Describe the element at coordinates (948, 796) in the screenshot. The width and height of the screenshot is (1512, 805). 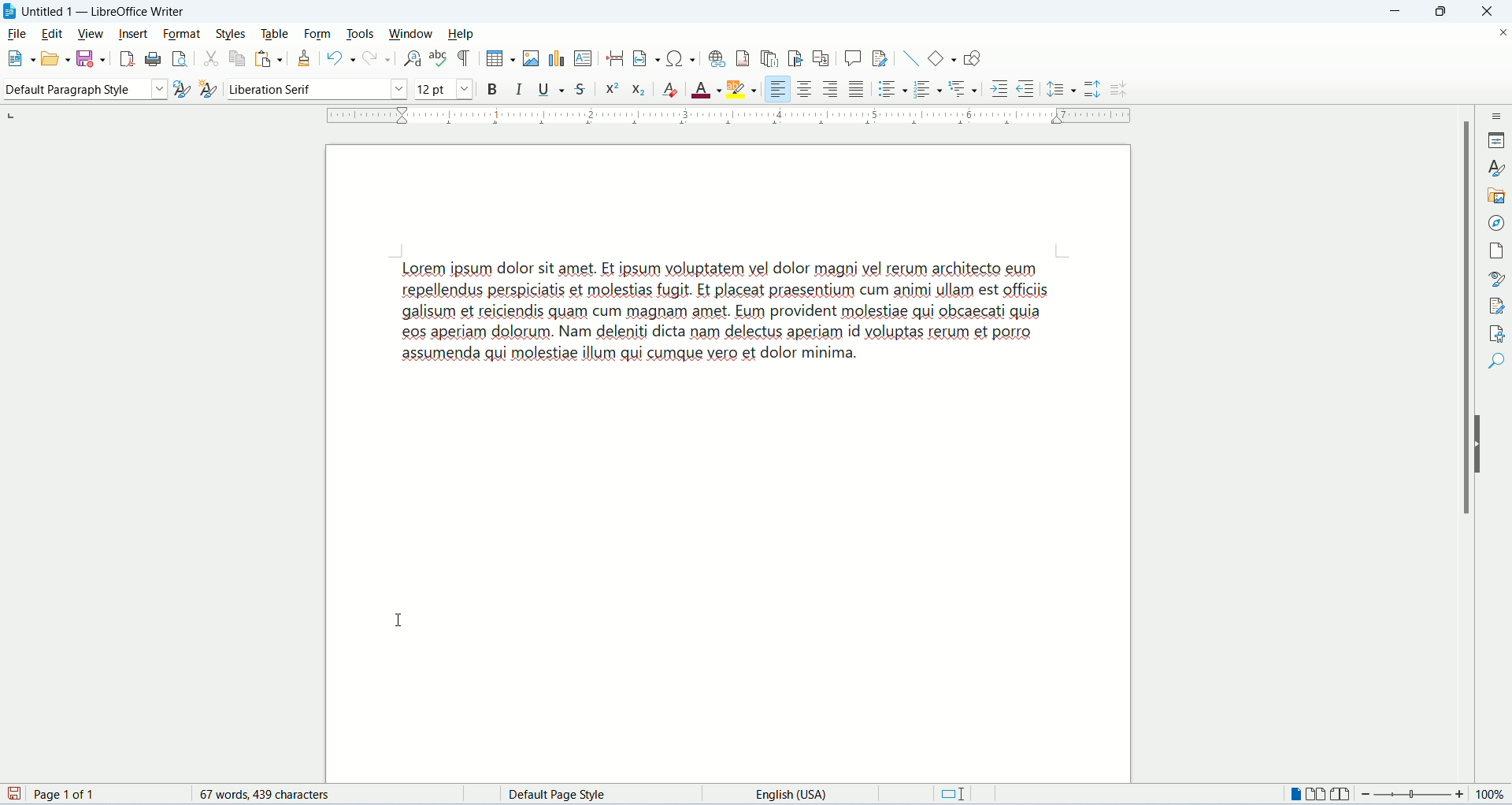
I see `standard selection` at that location.